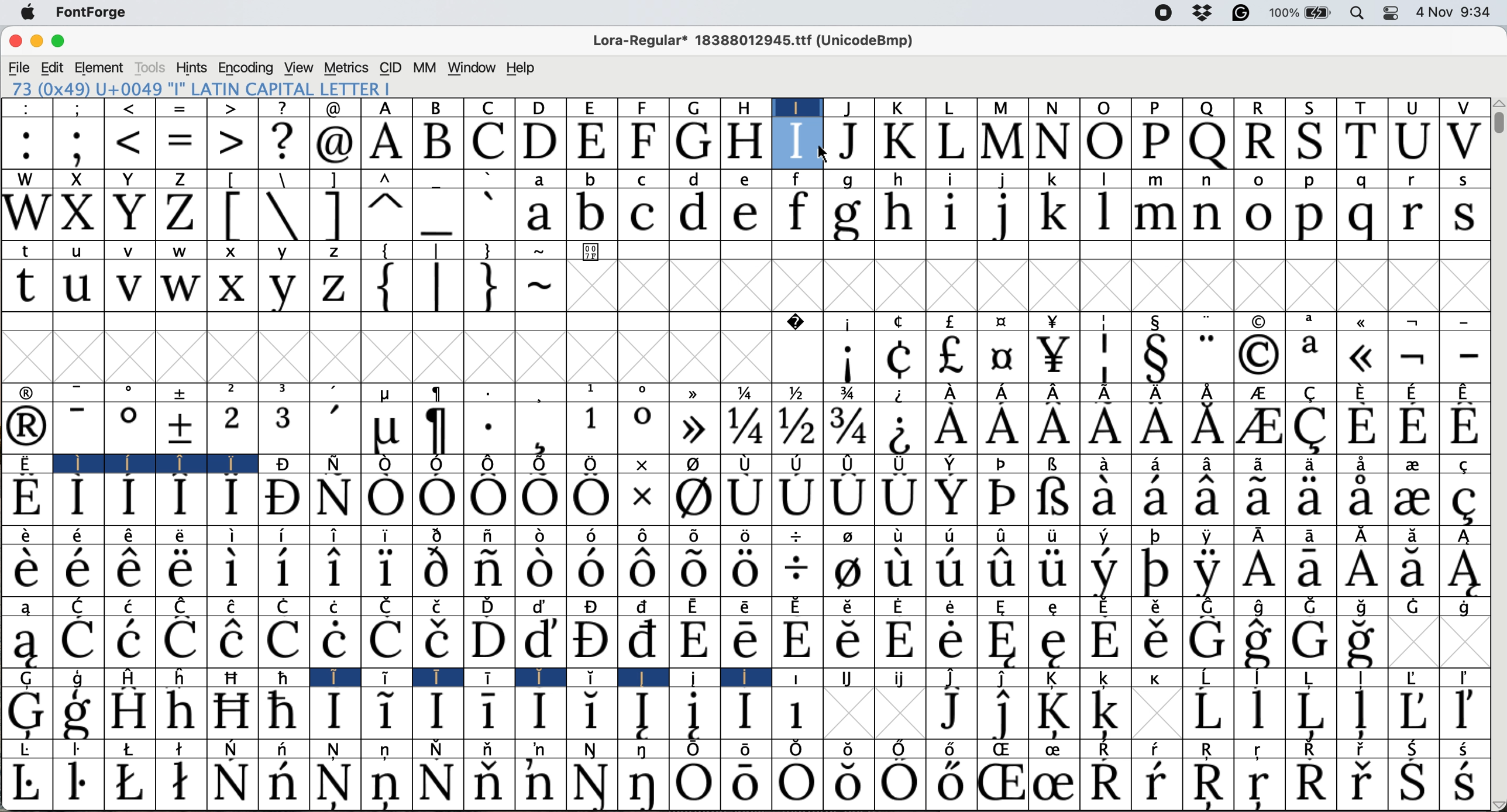 Image resolution: width=1507 pixels, height=812 pixels. Describe the element at coordinates (1312, 499) in the screenshot. I see `Symbol` at that location.